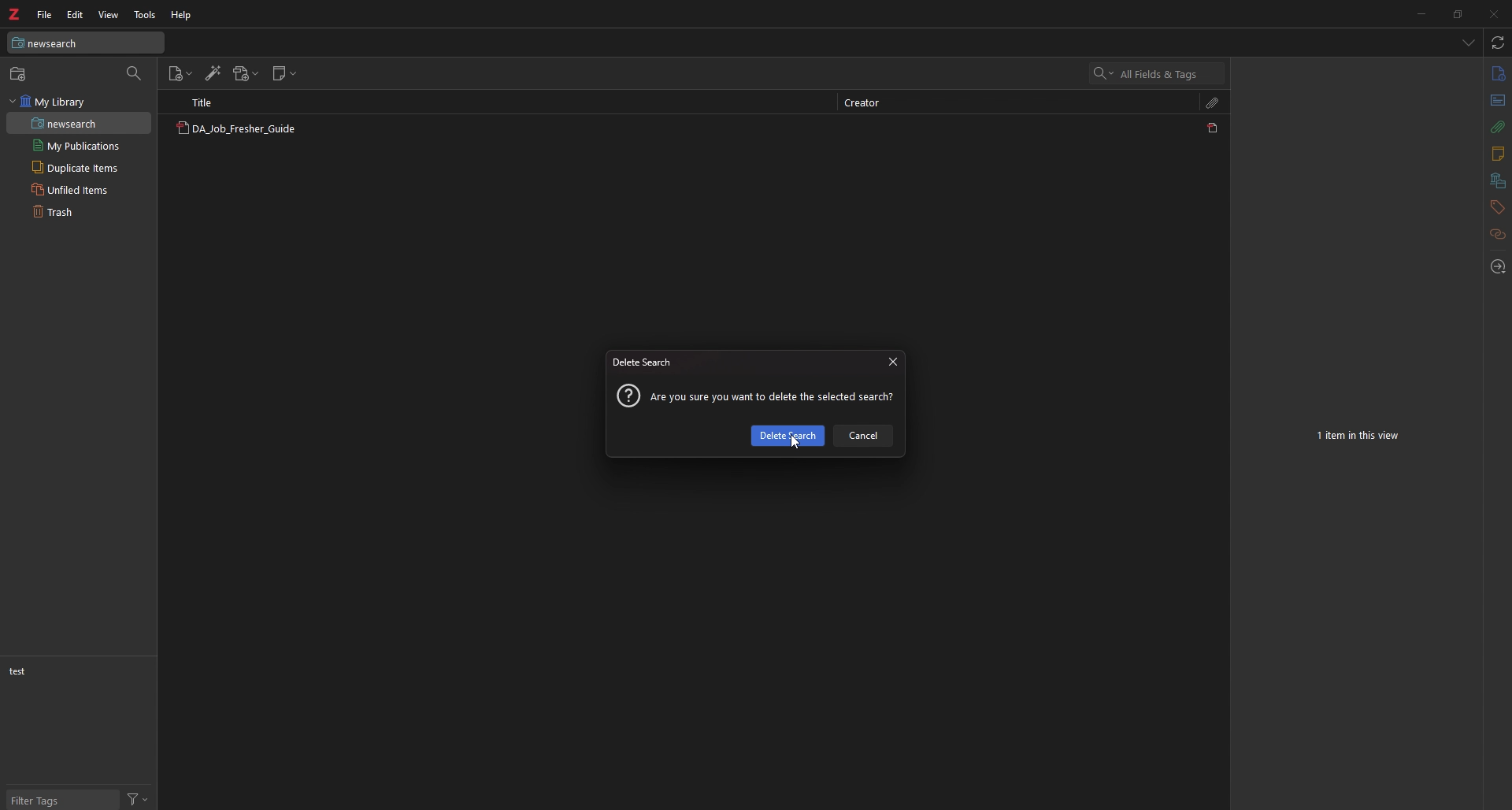 The height and width of the screenshot is (810, 1512). Describe the element at coordinates (1215, 103) in the screenshot. I see `Attachments` at that location.